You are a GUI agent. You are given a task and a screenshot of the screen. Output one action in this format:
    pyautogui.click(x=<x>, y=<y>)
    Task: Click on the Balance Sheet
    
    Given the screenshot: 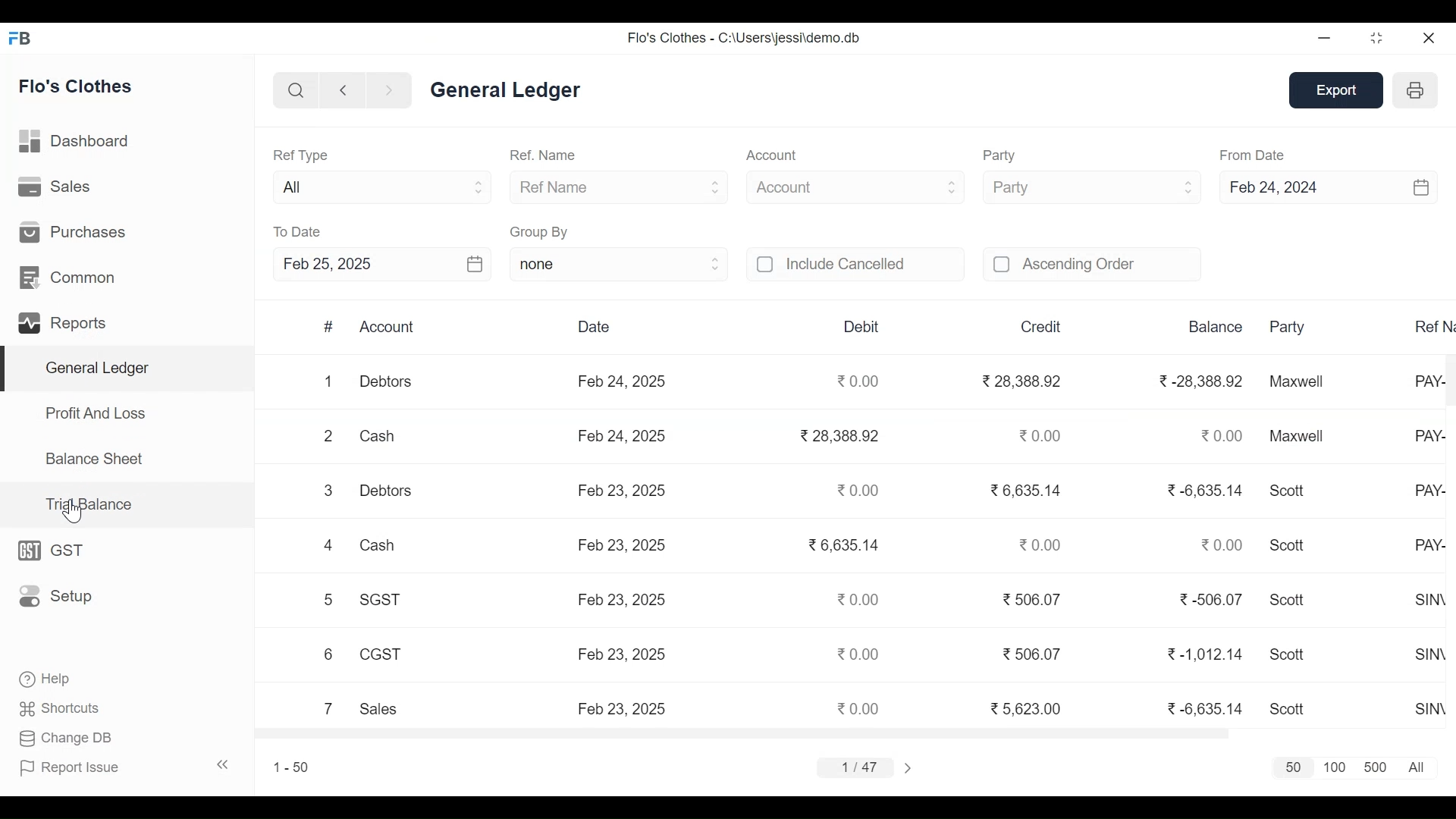 What is the action you would take?
    pyautogui.click(x=96, y=458)
    